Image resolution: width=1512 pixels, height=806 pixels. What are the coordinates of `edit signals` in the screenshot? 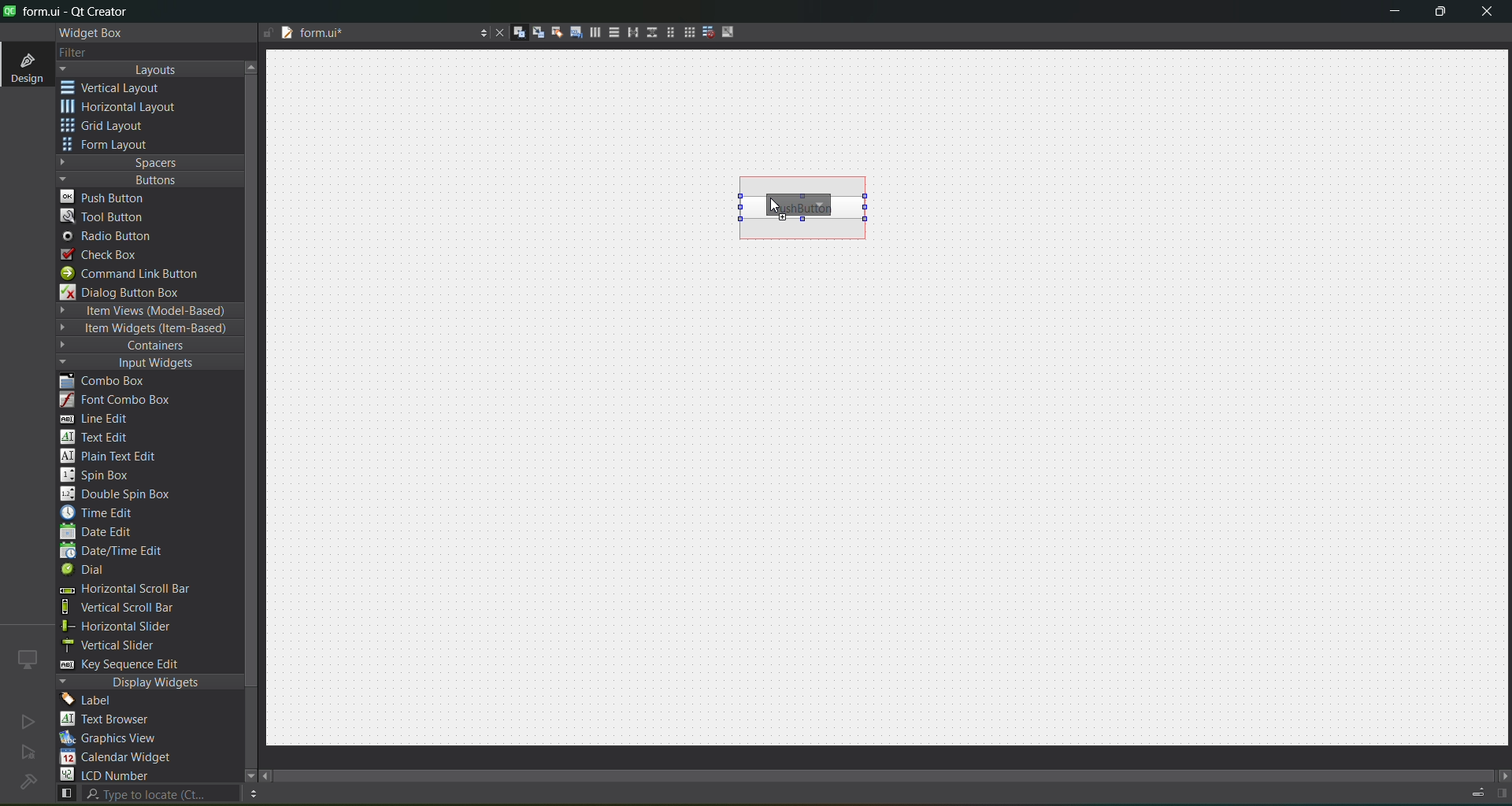 It's located at (532, 31).